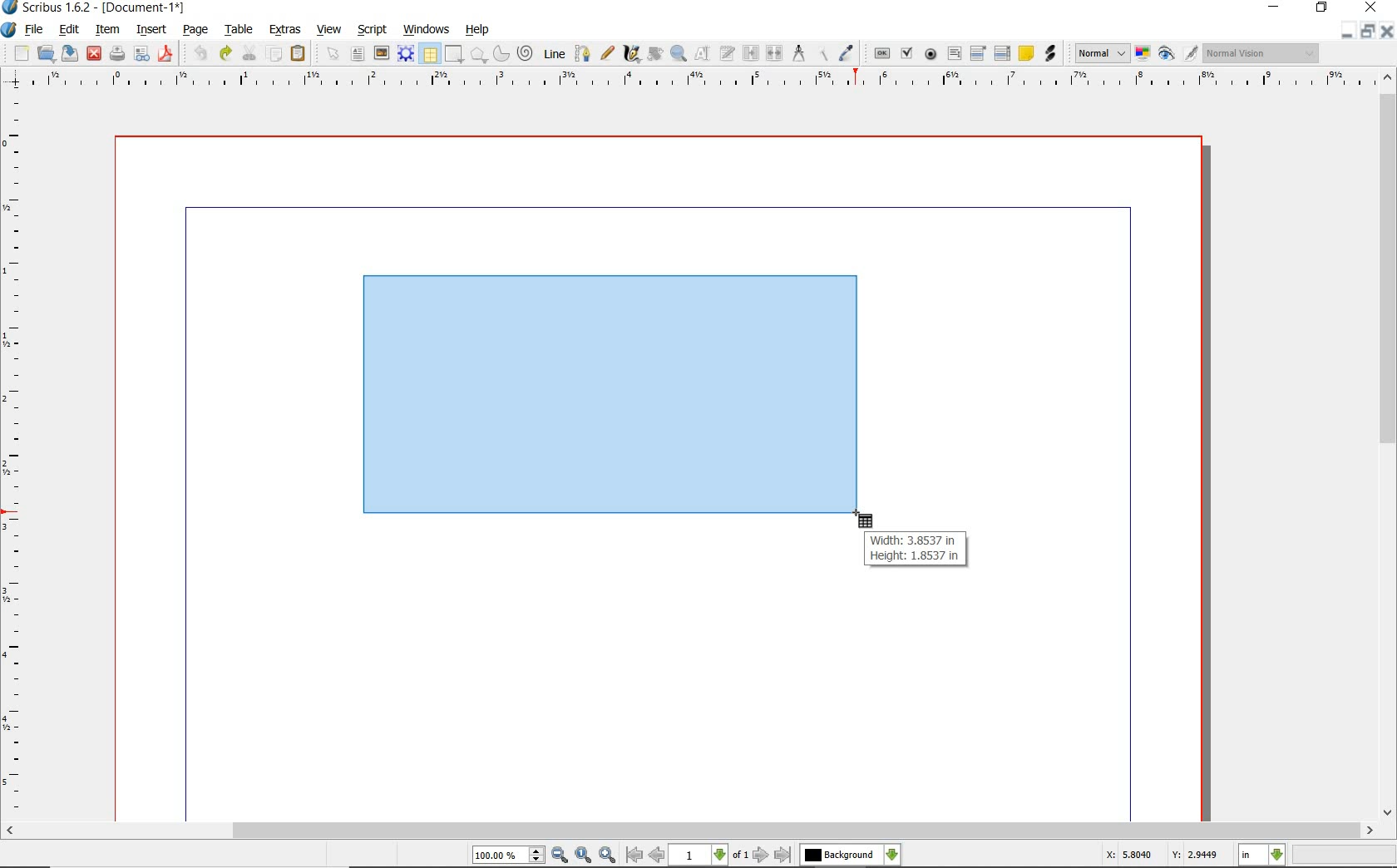 The image size is (1397, 868). Describe the element at coordinates (336, 57) in the screenshot. I see `select` at that location.